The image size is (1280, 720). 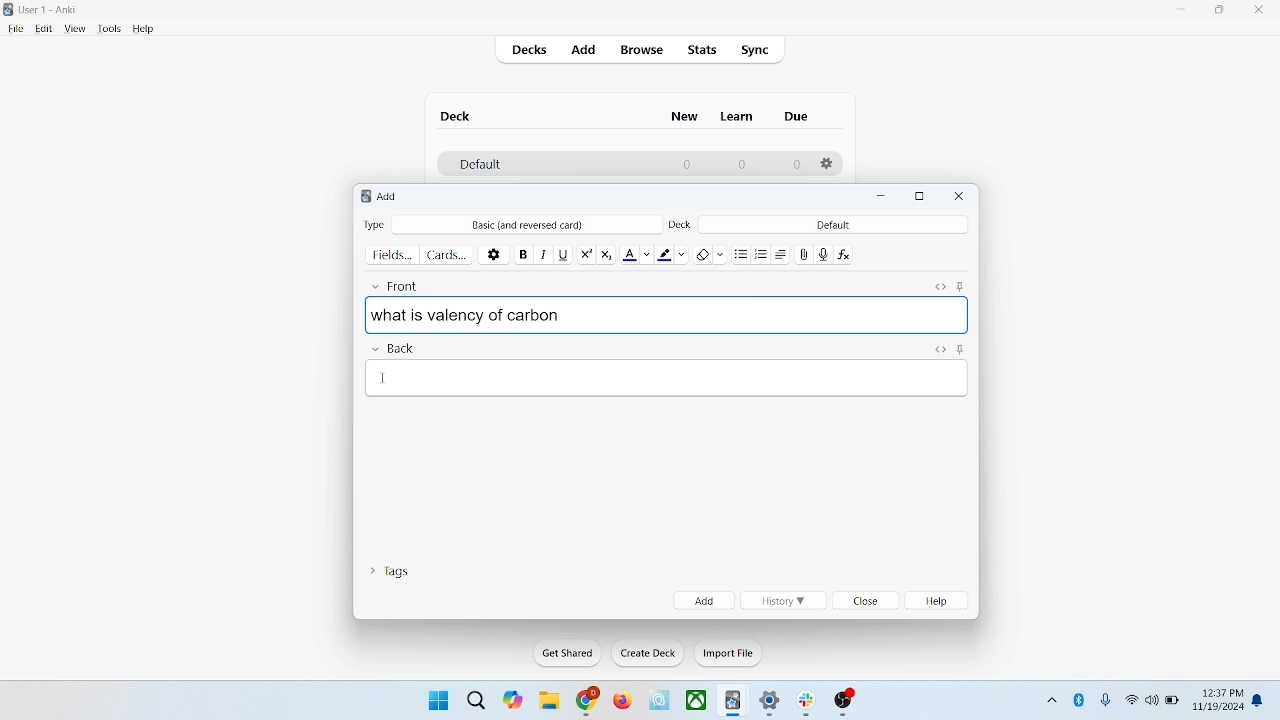 I want to click on icon, so click(x=845, y=703).